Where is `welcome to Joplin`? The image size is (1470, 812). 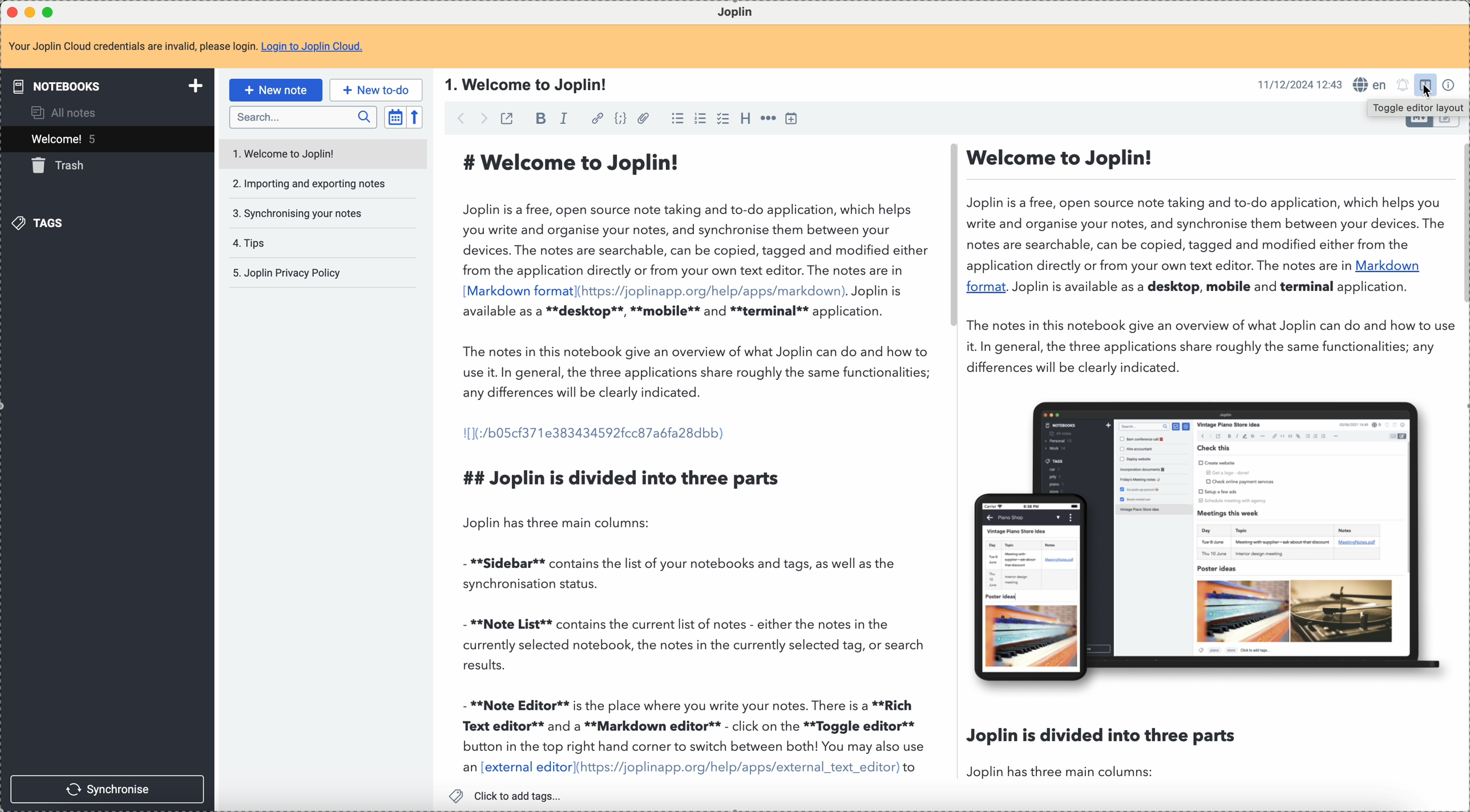 welcome to Joplin is located at coordinates (286, 151).